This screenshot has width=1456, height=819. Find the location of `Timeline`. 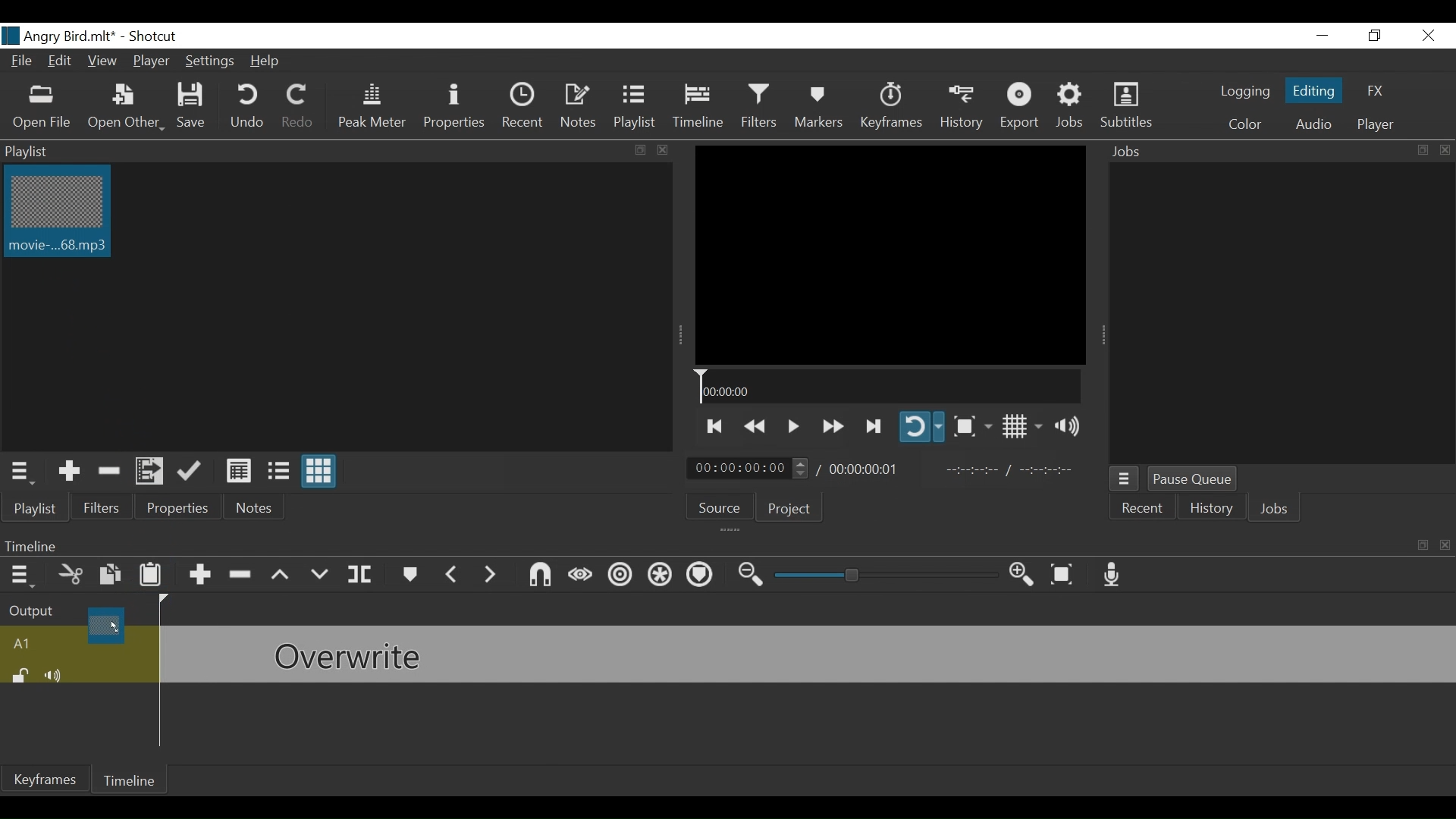

Timeline is located at coordinates (128, 780).